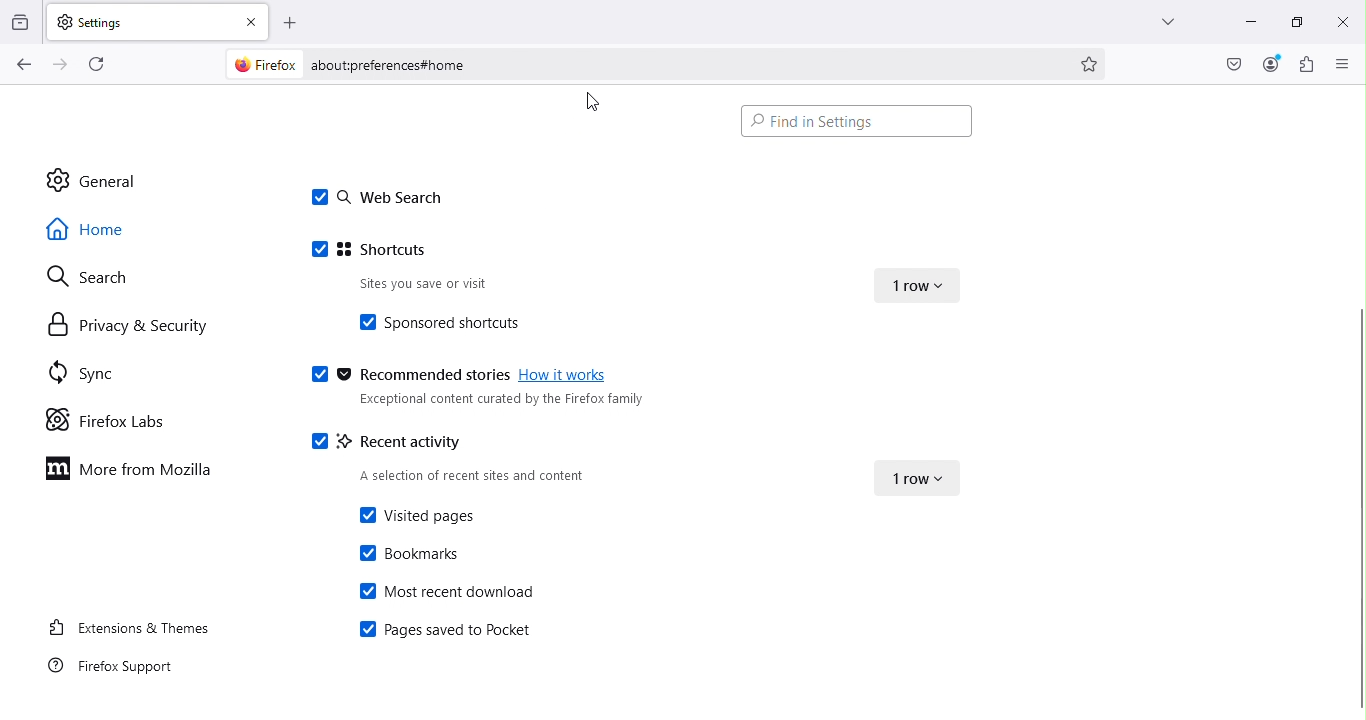  Describe the element at coordinates (453, 285) in the screenshot. I see `Sites you save or visit` at that location.